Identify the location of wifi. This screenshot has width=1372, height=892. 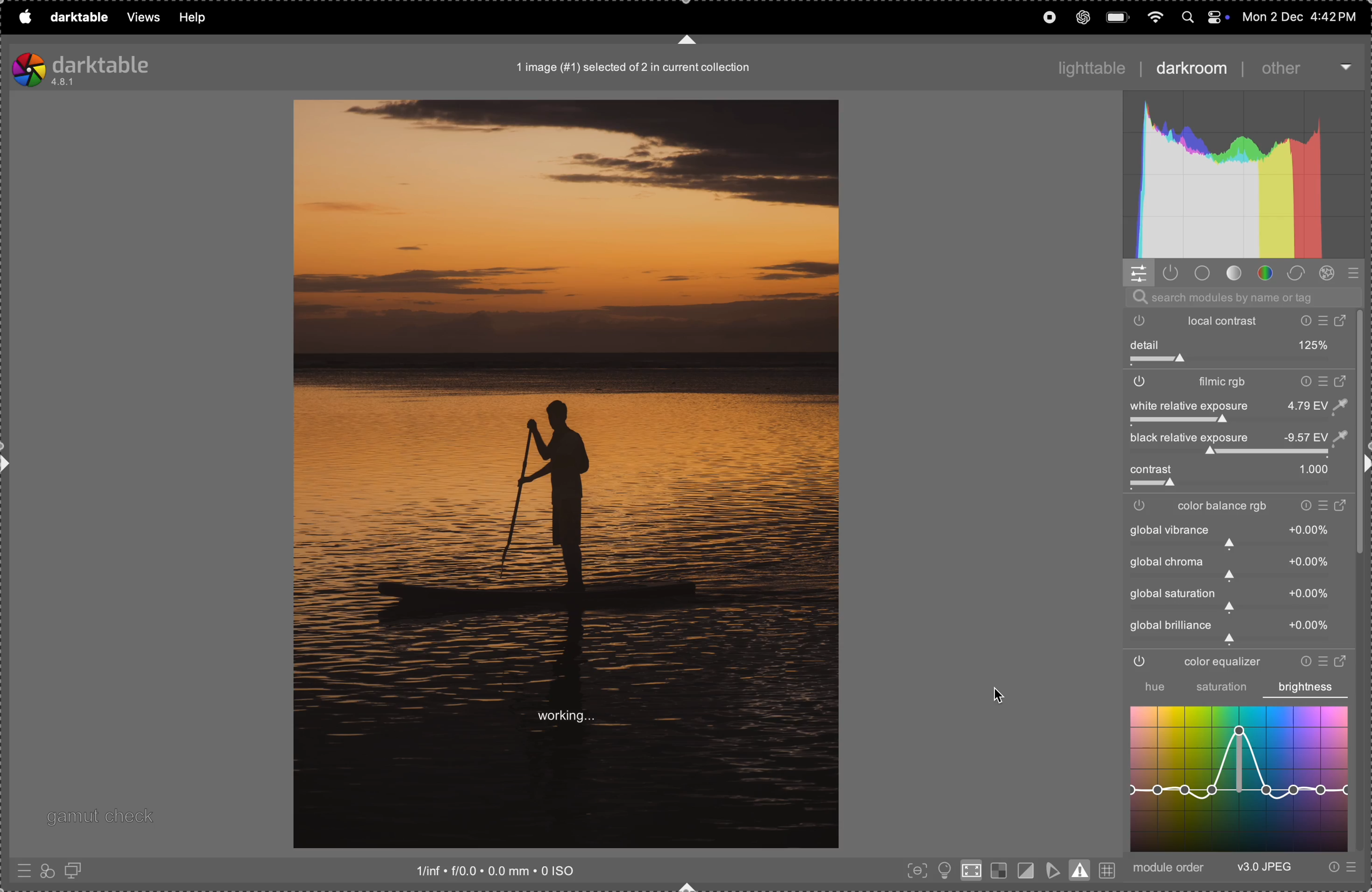
(1153, 16).